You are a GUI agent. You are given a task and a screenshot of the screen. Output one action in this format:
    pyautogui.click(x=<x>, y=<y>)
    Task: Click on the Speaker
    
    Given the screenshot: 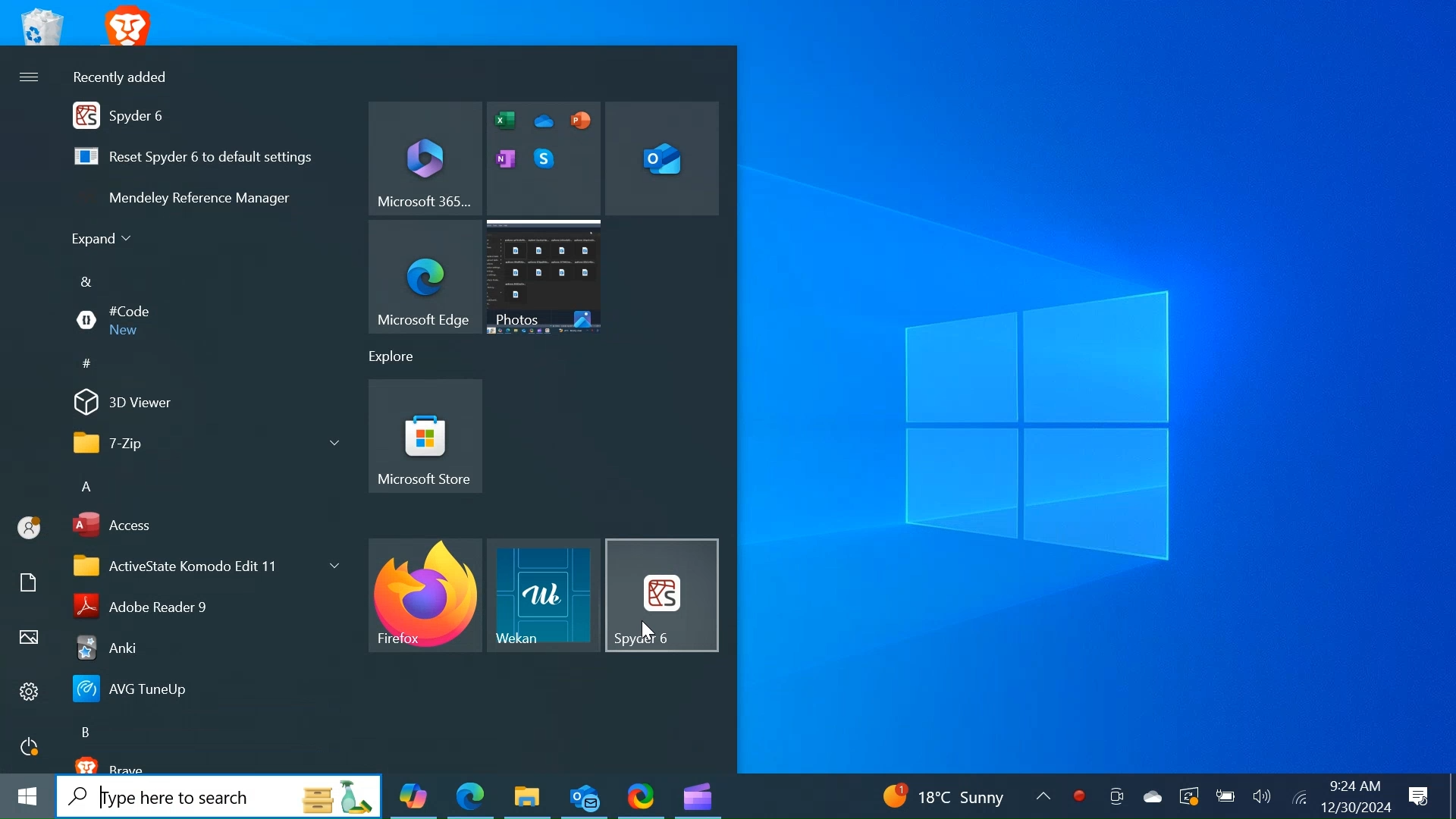 What is the action you would take?
    pyautogui.click(x=1261, y=795)
    